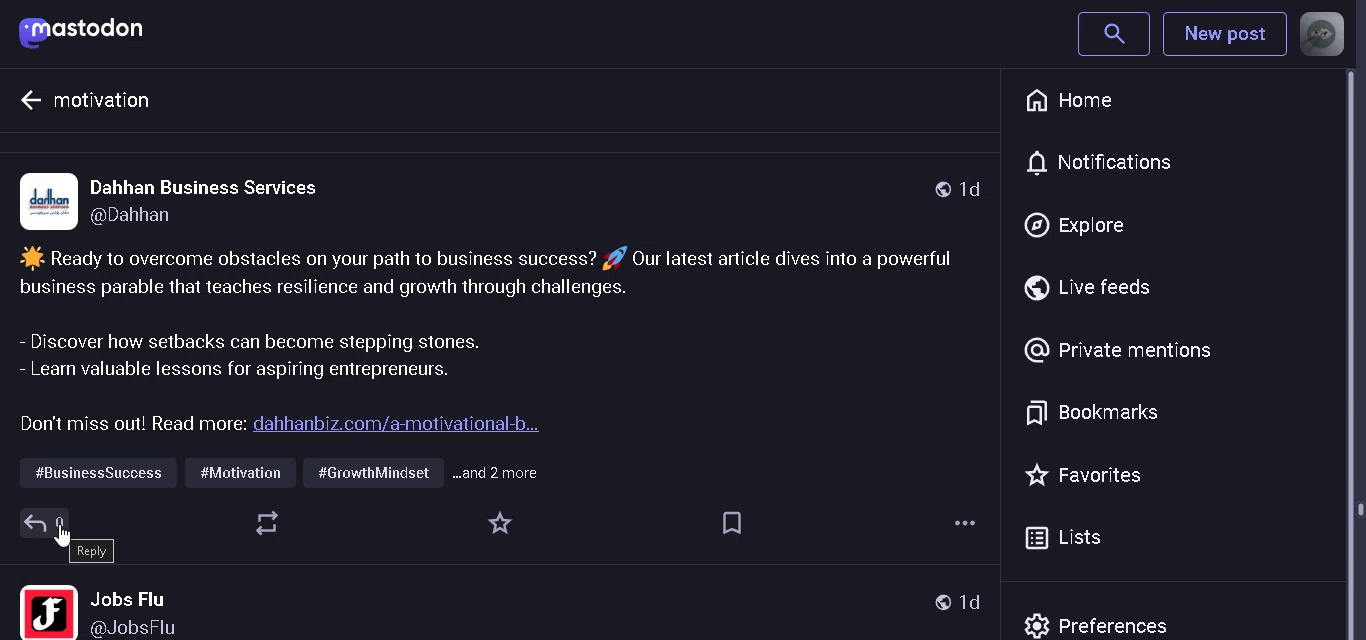 The width and height of the screenshot is (1366, 640). Describe the element at coordinates (728, 523) in the screenshot. I see `bookmarks` at that location.